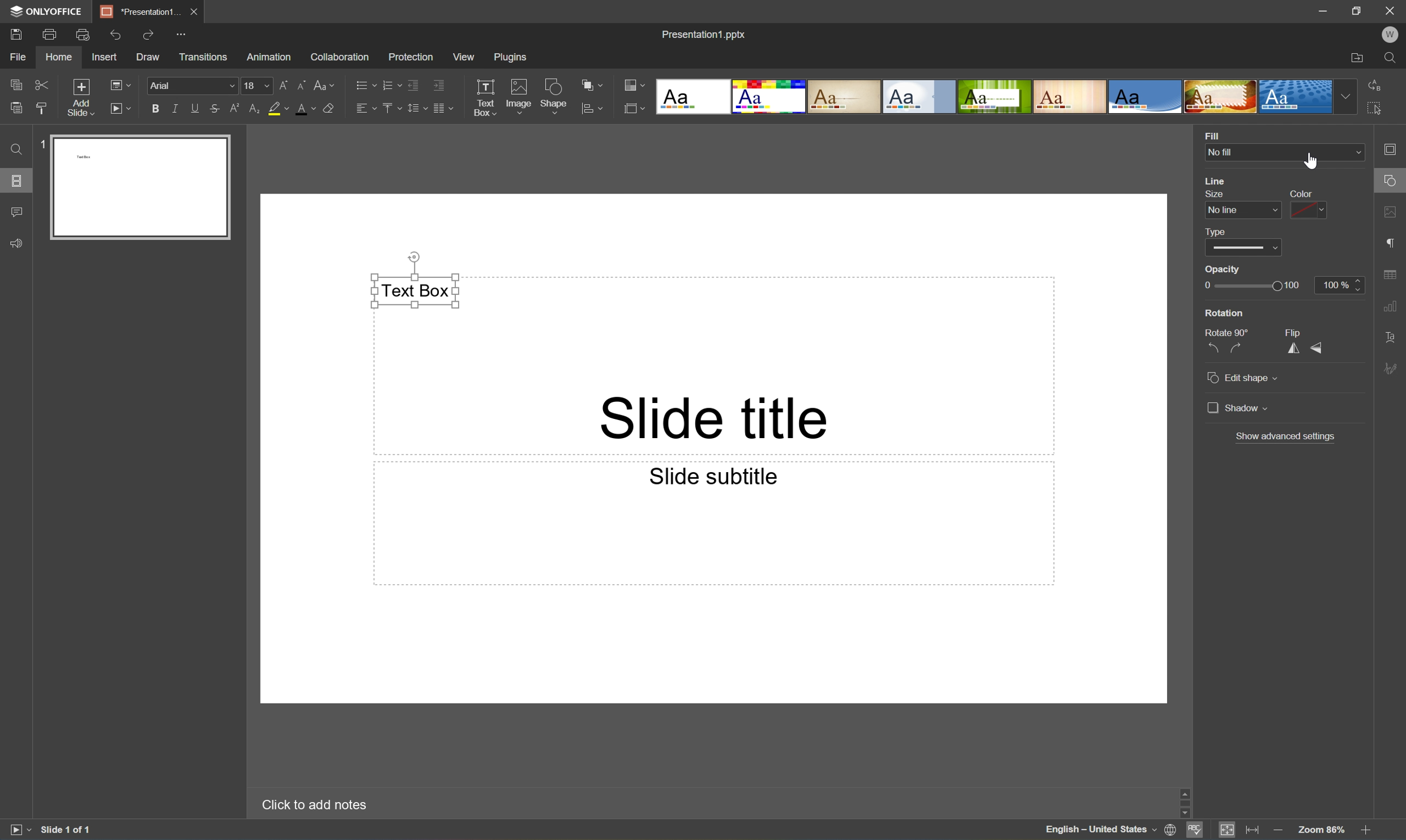 The height and width of the screenshot is (840, 1406). Describe the element at coordinates (1216, 349) in the screenshot. I see `Rotate 90° countercolckwise` at that location.